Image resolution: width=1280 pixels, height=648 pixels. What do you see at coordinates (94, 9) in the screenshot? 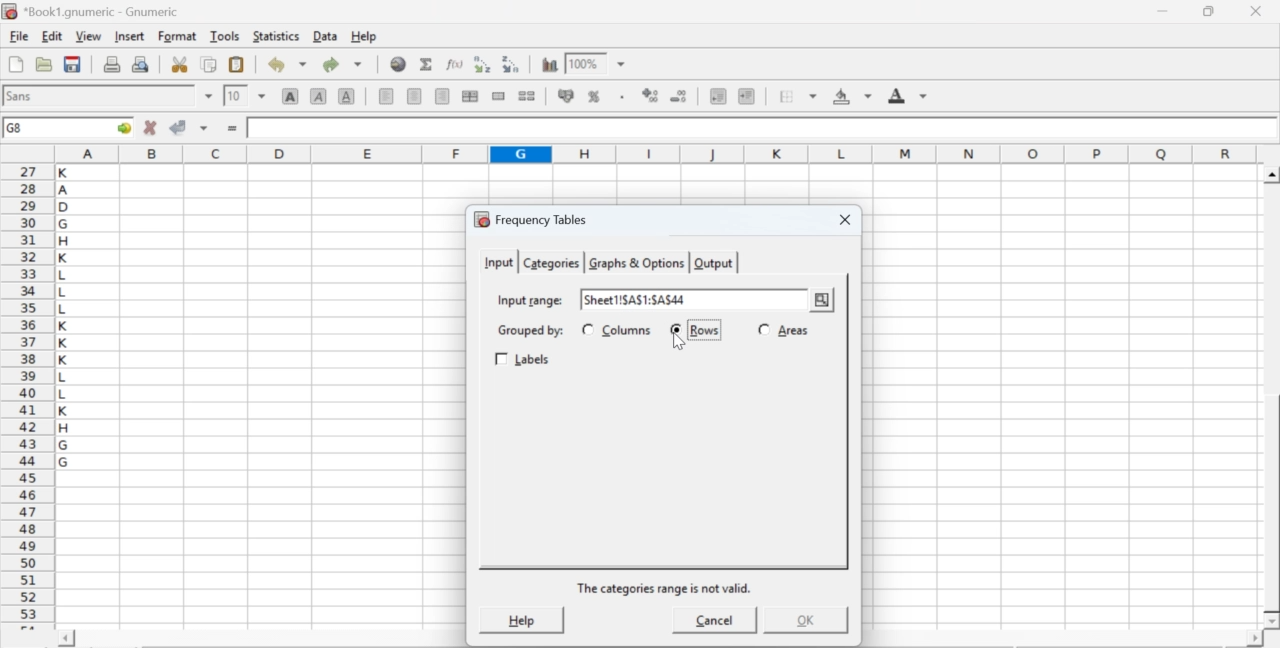
I see `application name` at bounding box center [94, 9].